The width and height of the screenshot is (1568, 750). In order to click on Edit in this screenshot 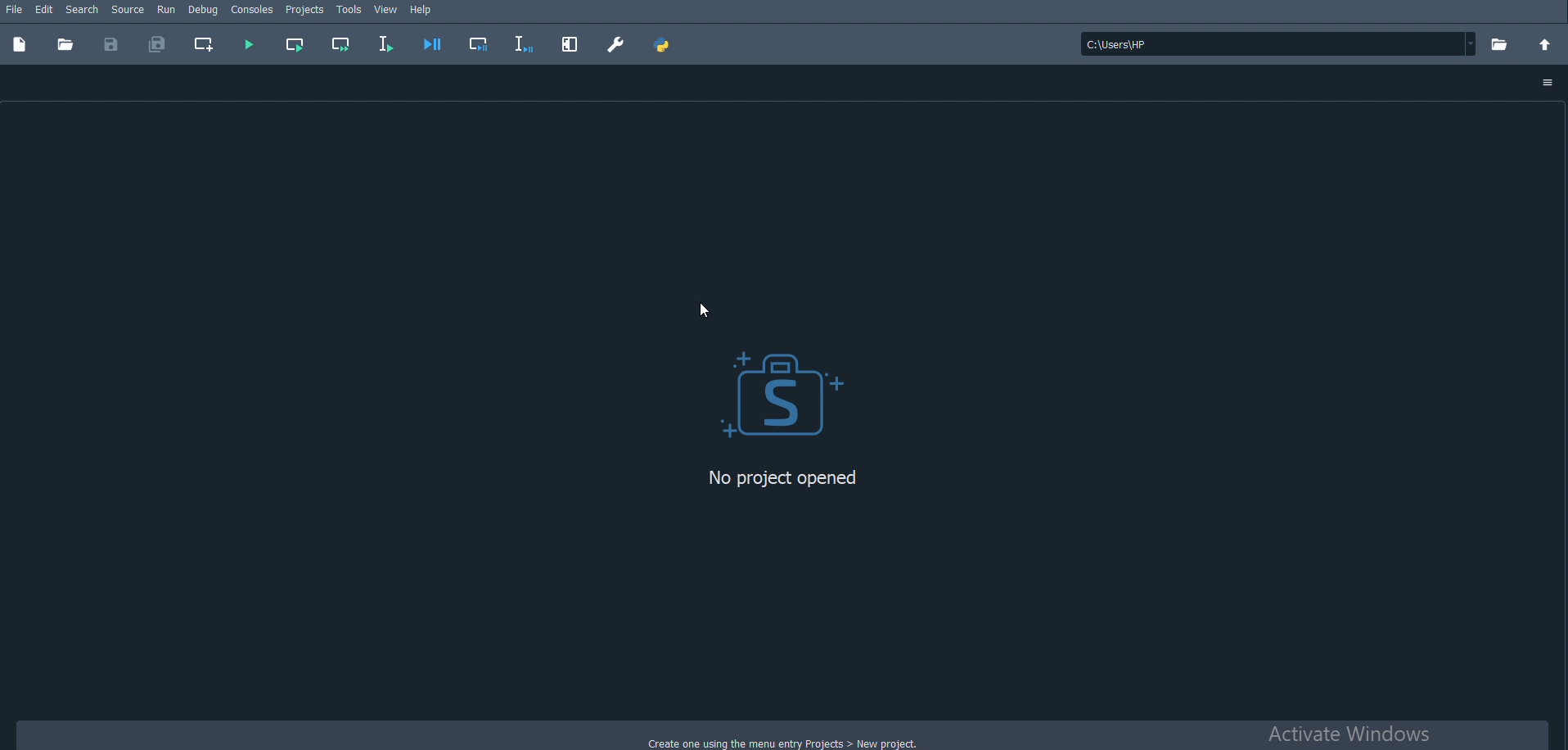, I will do `click(45, 8)`.